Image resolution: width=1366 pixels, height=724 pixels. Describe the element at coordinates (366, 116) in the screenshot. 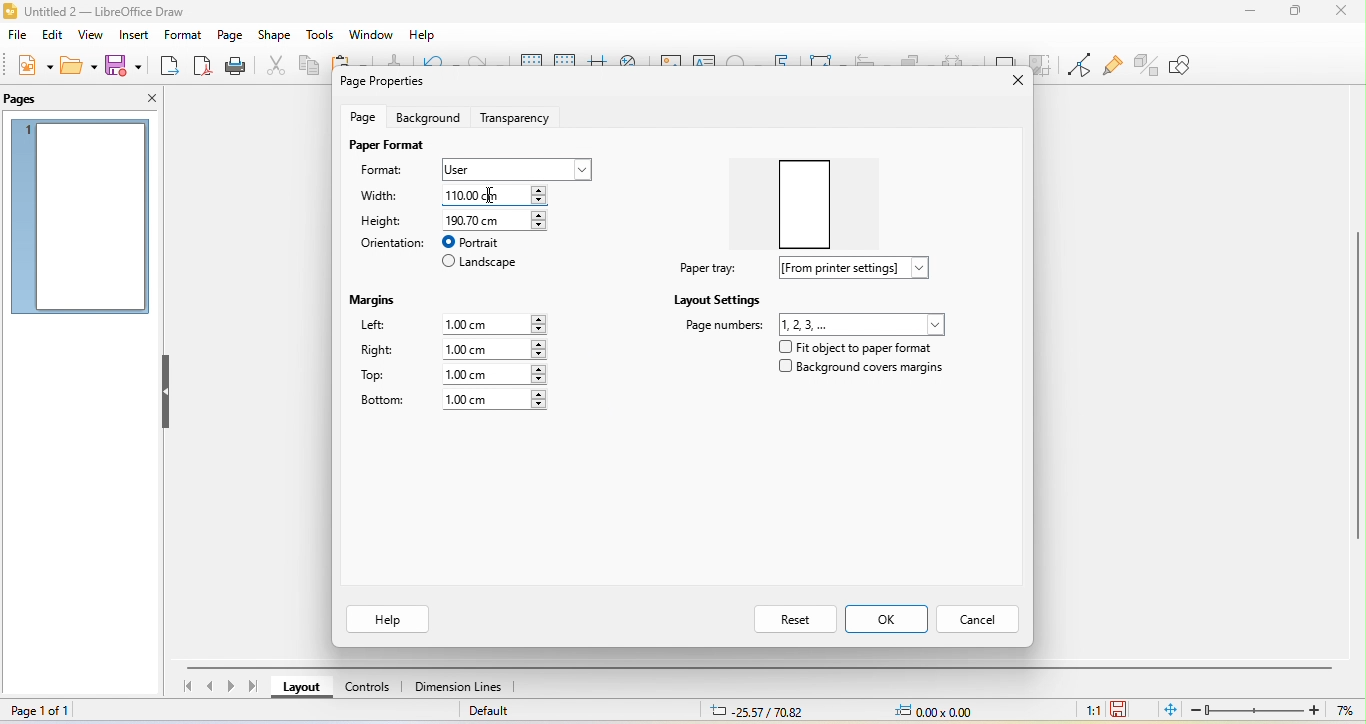

I see `page` at that location.